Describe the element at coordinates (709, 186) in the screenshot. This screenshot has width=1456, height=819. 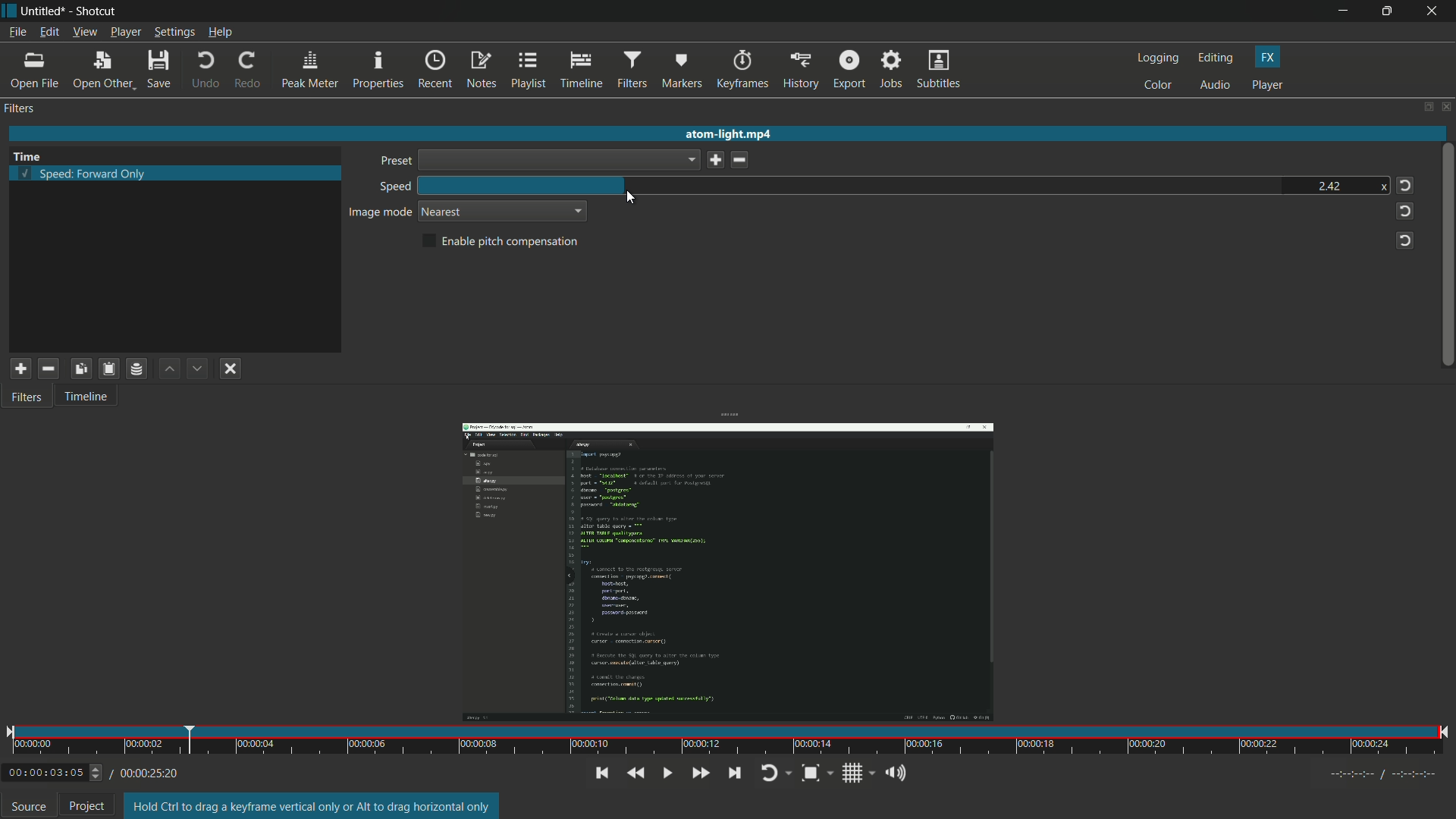
I see `speed bar` at that location.